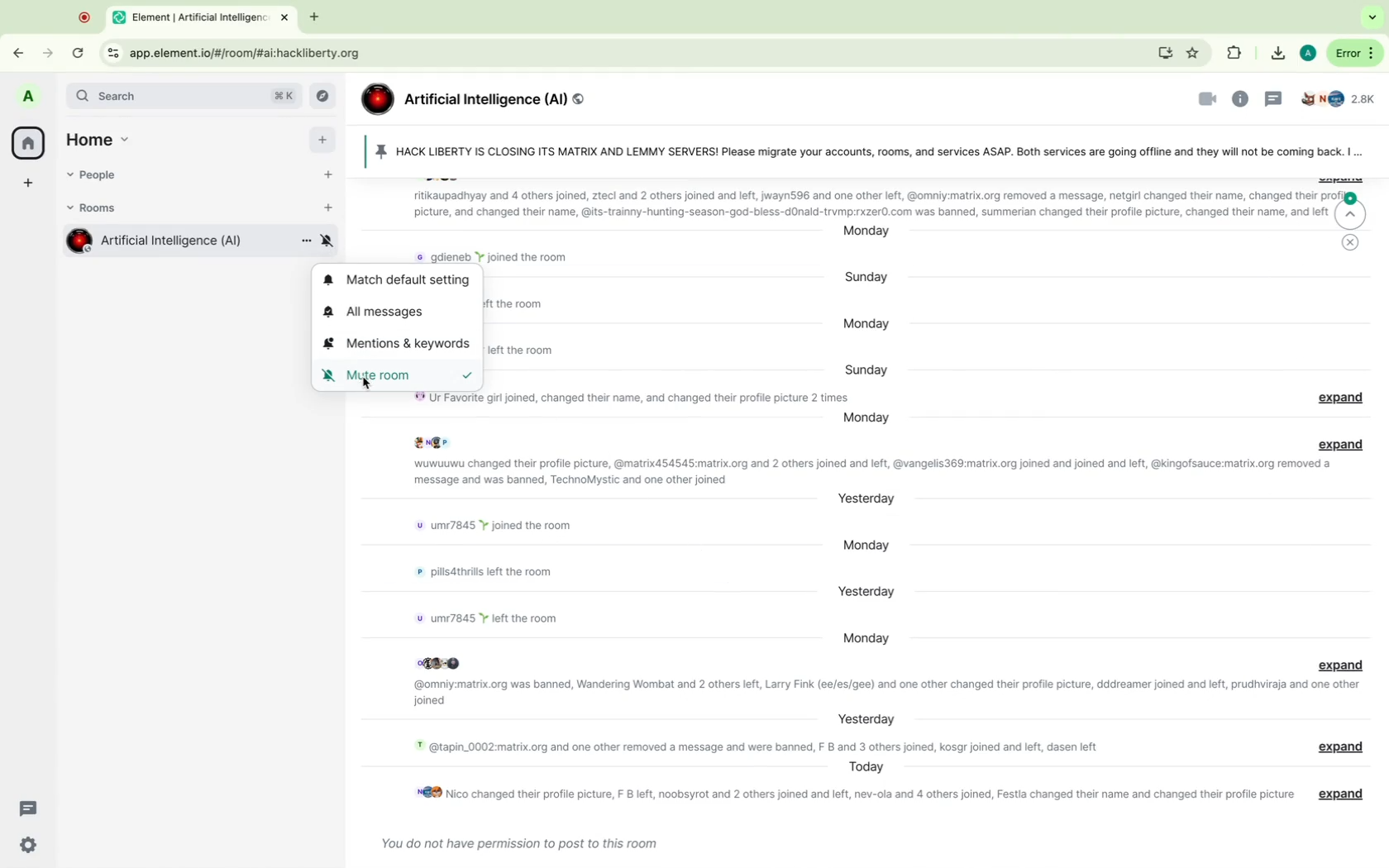 This screenshot has height=868, width=1389. Describe the element at coordinates (1334, 663) in the screenshot. I see `message` at that location.